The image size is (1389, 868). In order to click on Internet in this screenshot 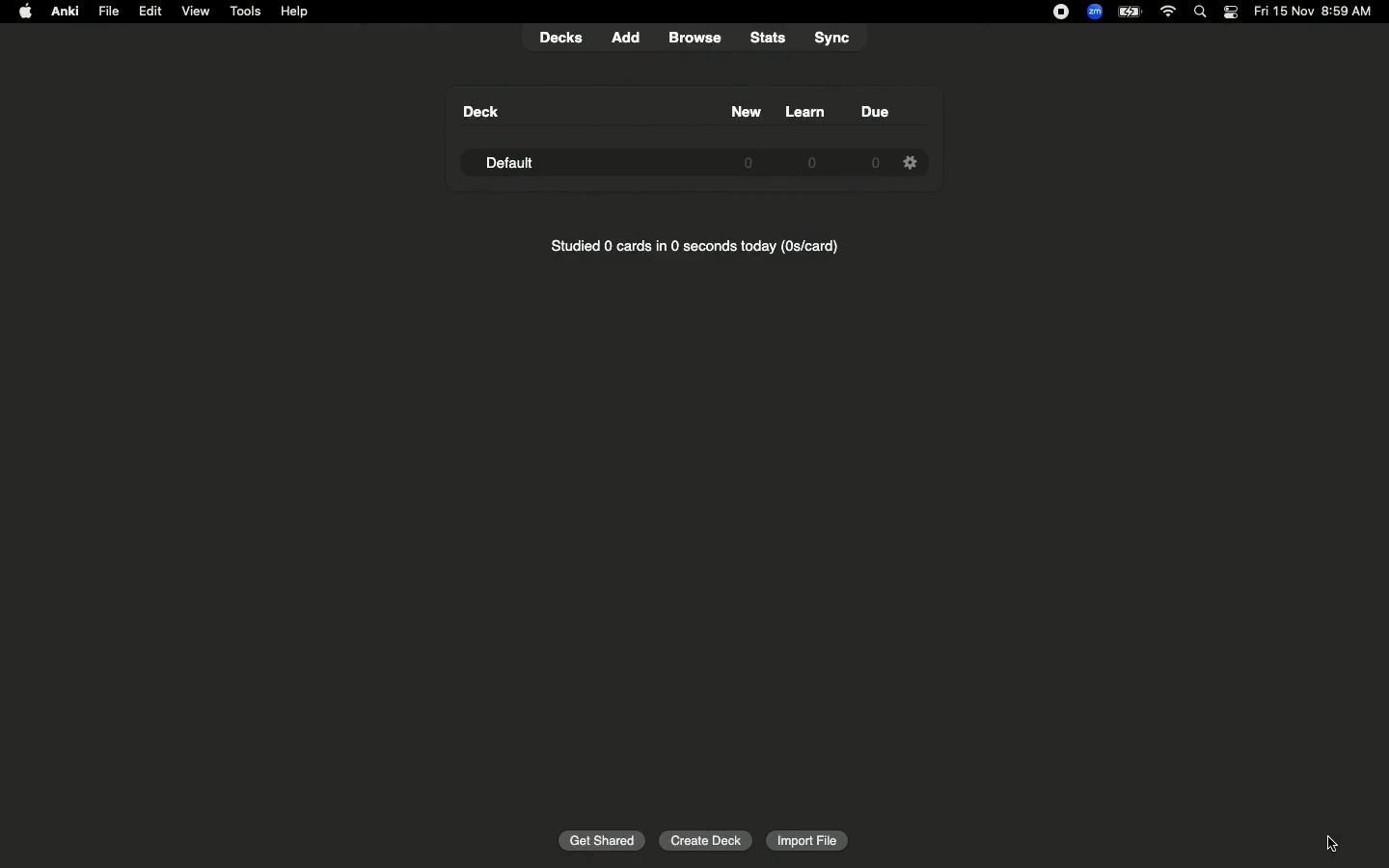, I will do `click(1171, 13)`.